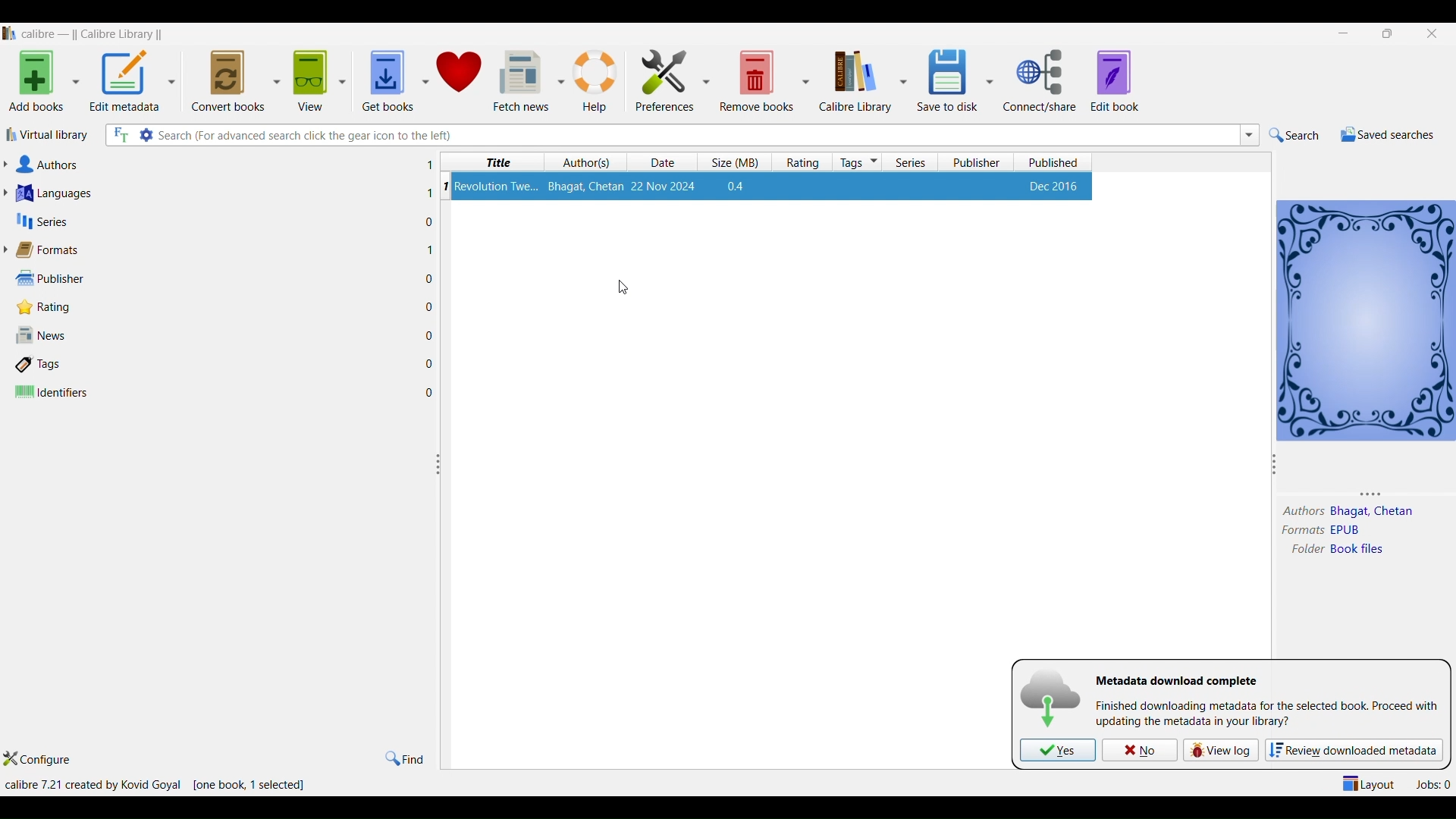 The height and width of the screenshot is (819, 1456). I want to click on connect/share, so click(1040, 82).